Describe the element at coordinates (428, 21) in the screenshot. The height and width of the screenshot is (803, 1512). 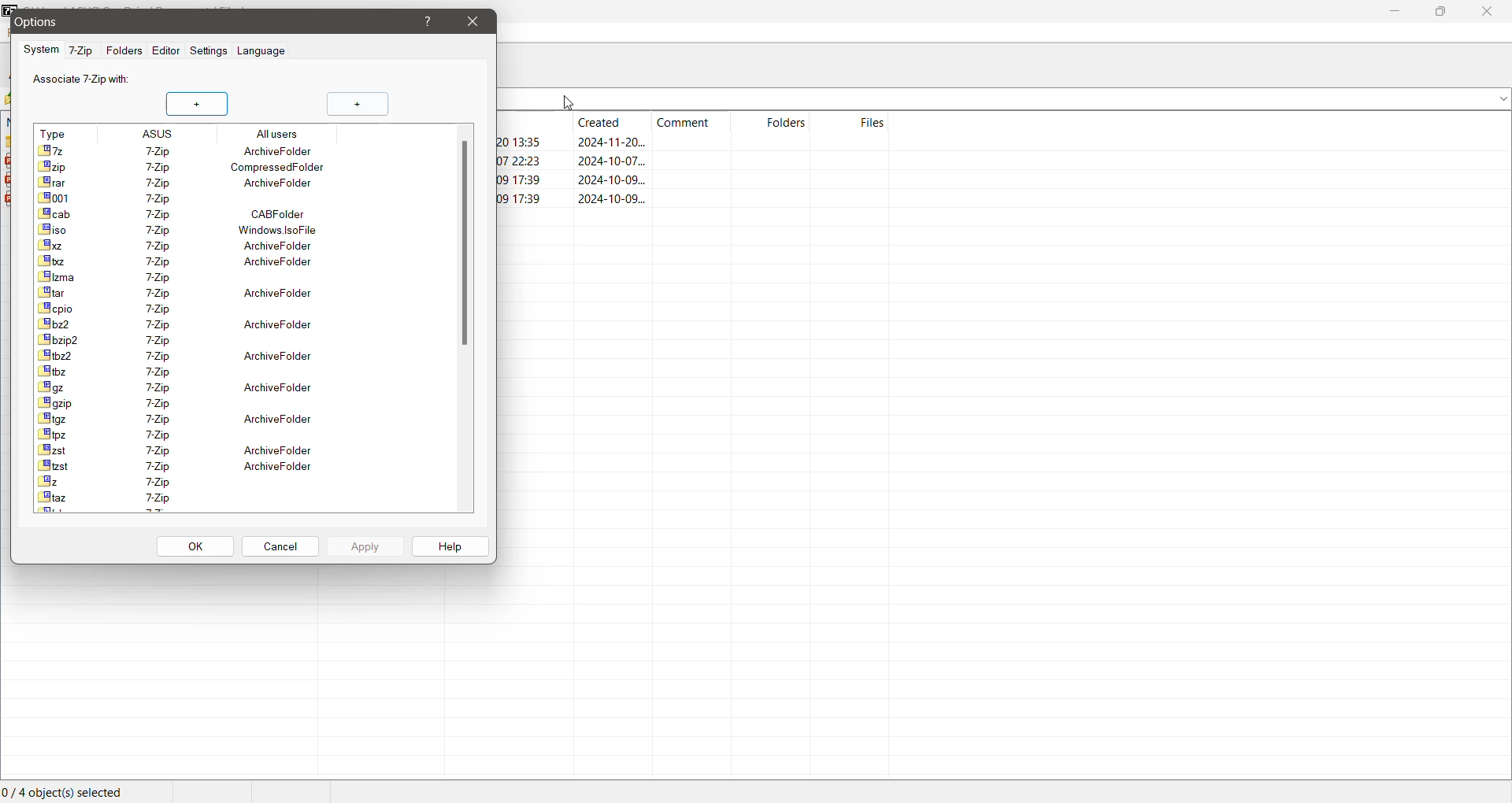
I see `Help` at that location.